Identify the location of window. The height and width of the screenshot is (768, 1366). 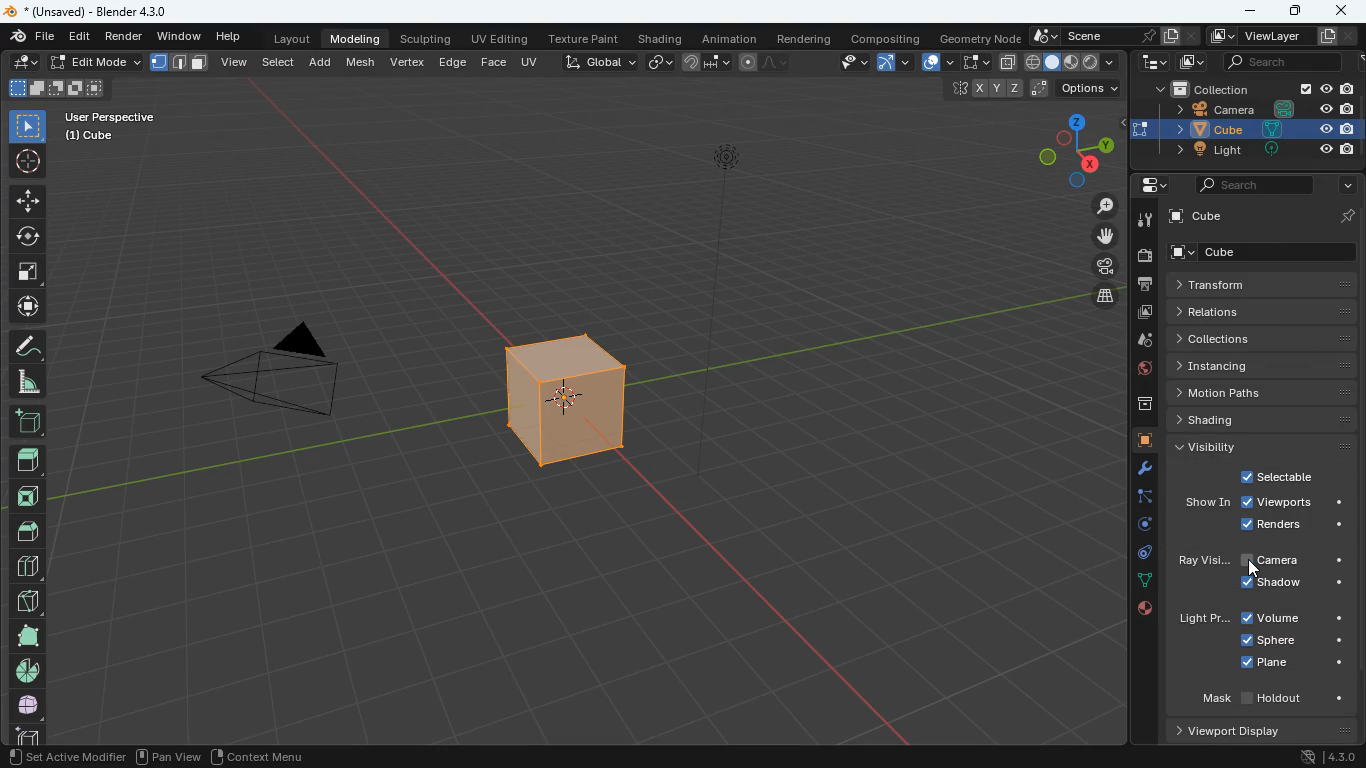
(177, 37).